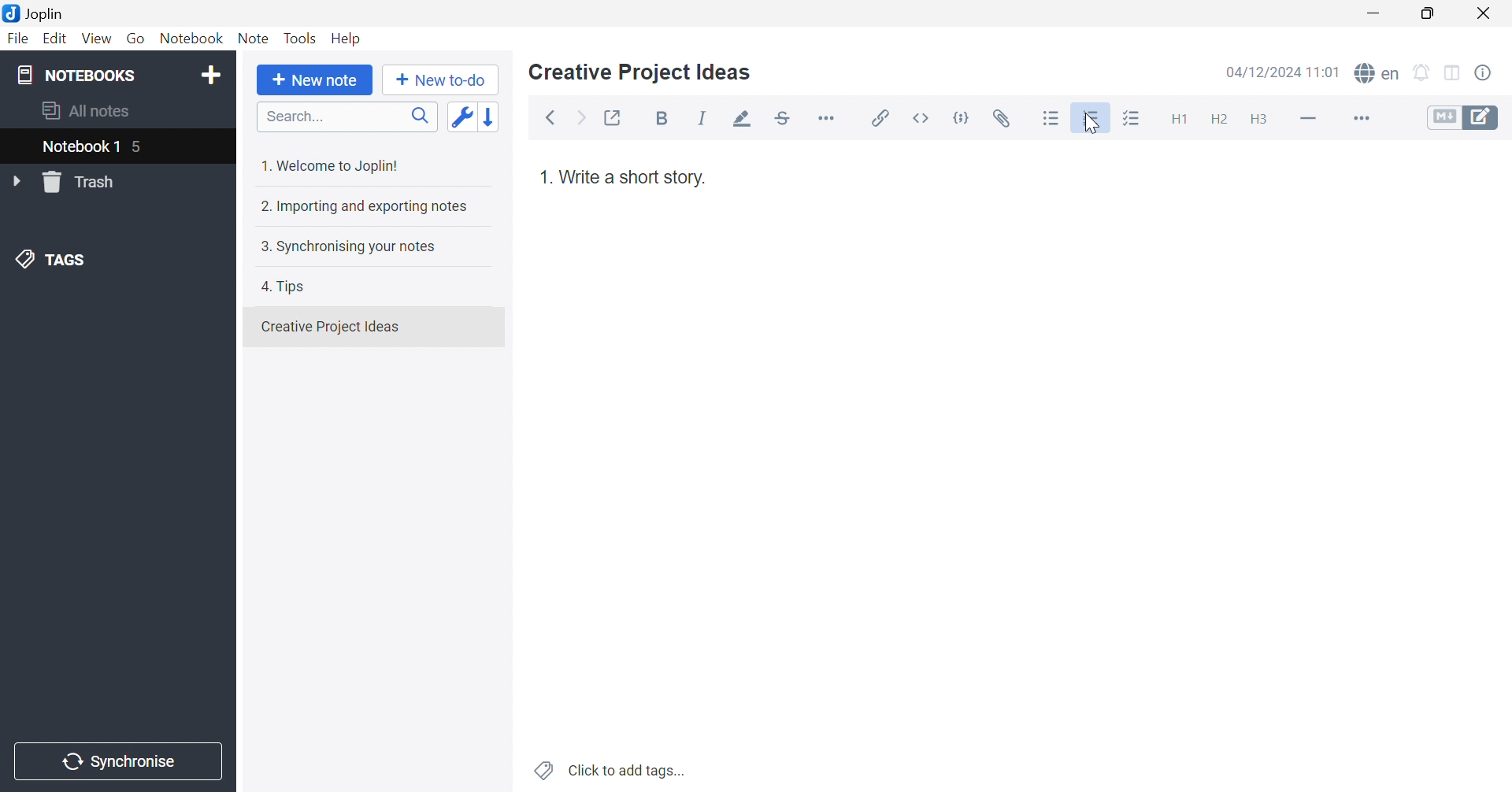 The image size is (1512, 792). Describe the element at coordinates (51, 261) in the screenshot. I see `TAGS` at that location.